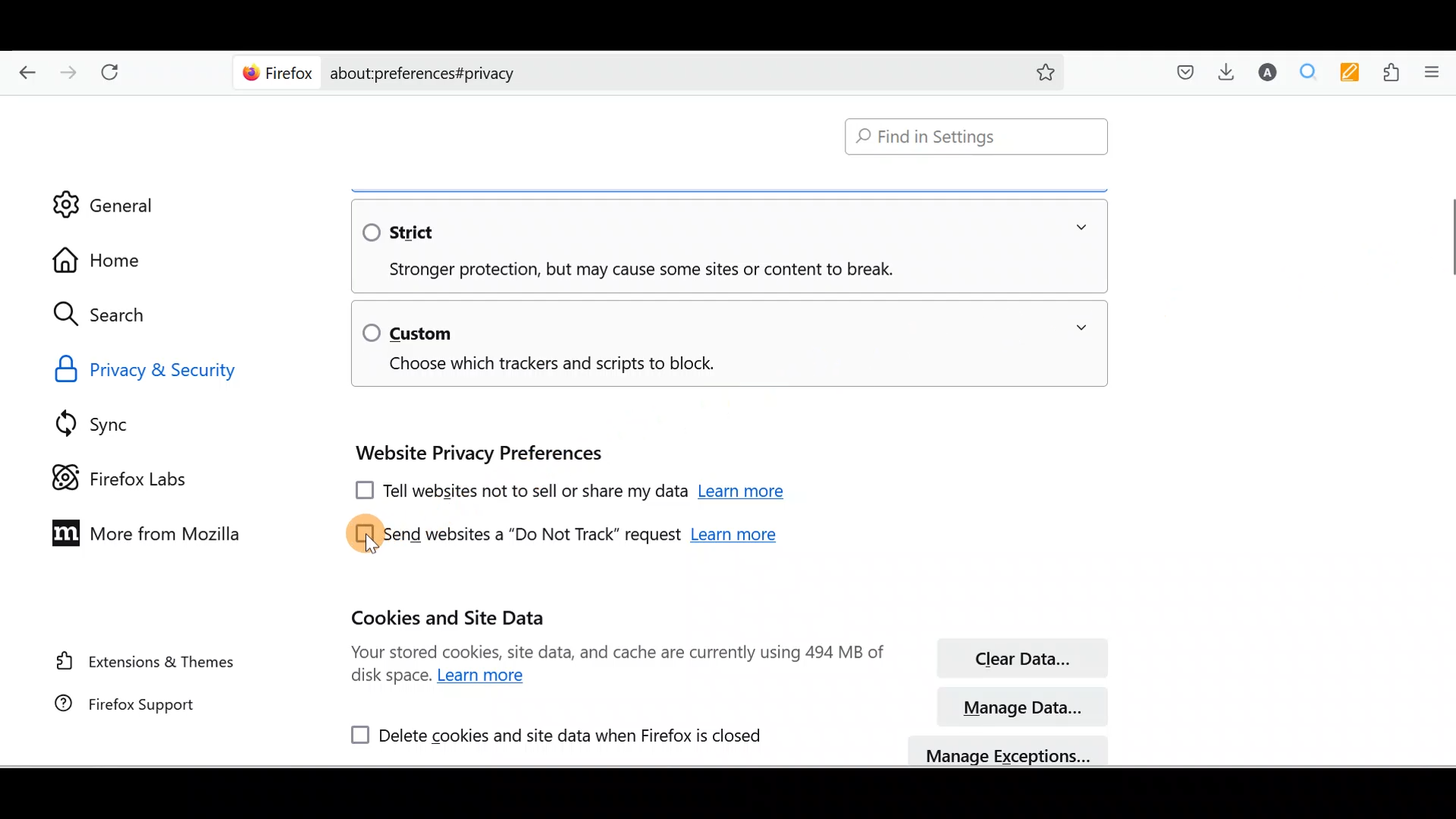 This screenshot has height=819, width=1456. What do you see at coordinates (518, 493) in the screenshot?
I see `Tell websites not to sell or share my data` at bounding box center [518, 493].